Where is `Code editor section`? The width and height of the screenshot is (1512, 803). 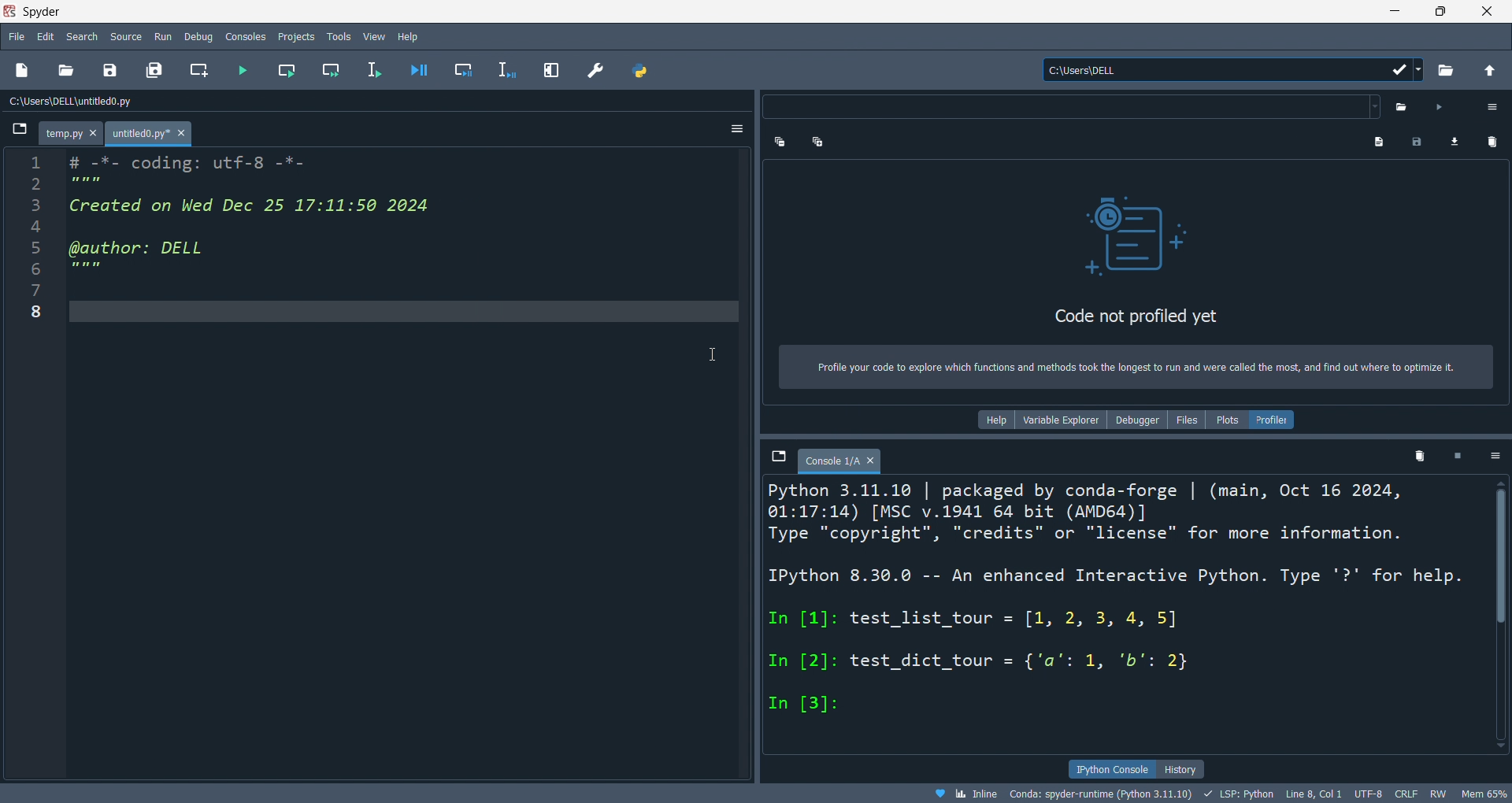 Code editor section is located at coordinates (408, 463).